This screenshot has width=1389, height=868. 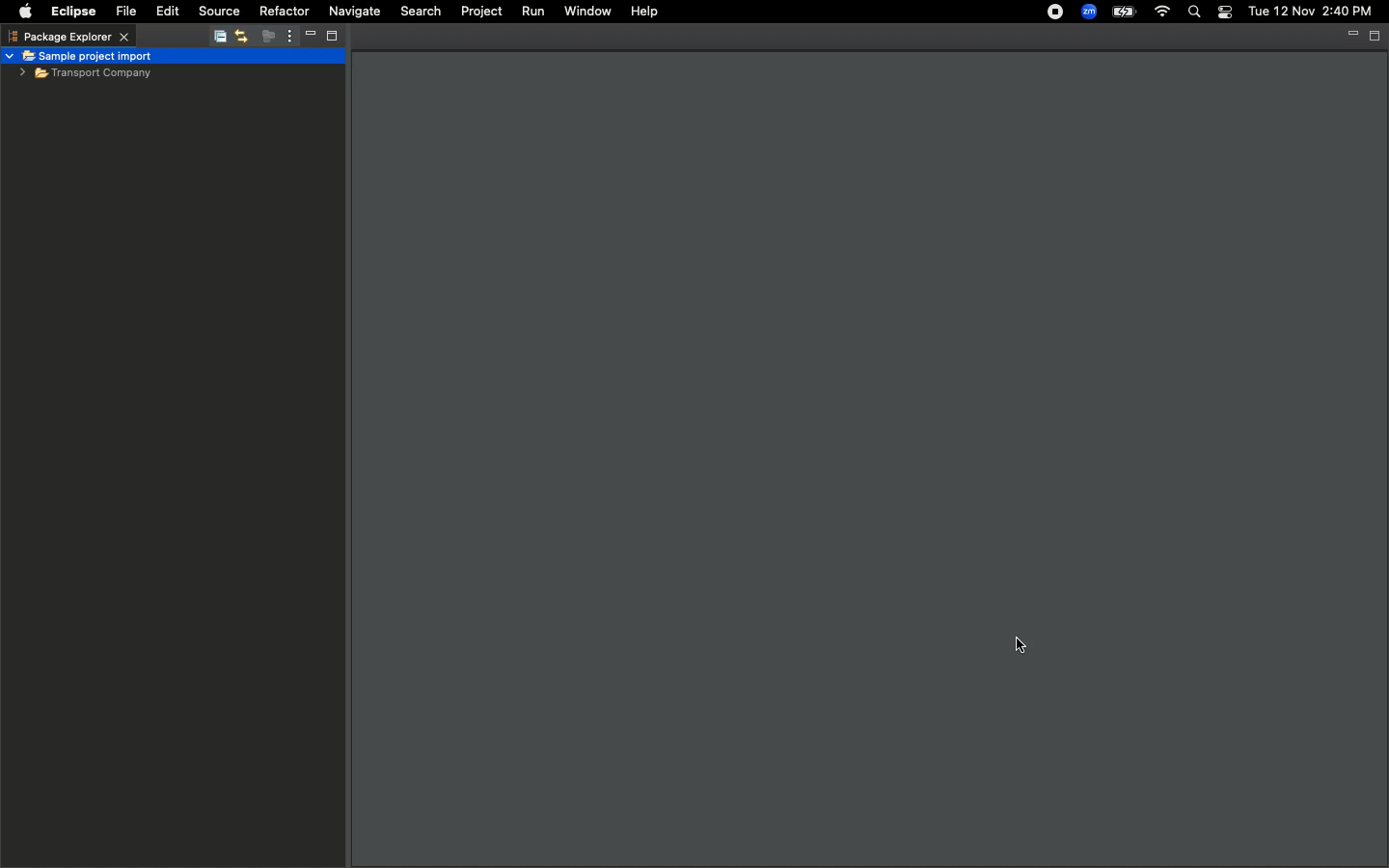 What do you see at coordinates (330, 39) in the screenshot?
I see `Maximize` at bounding box center [330, 39].